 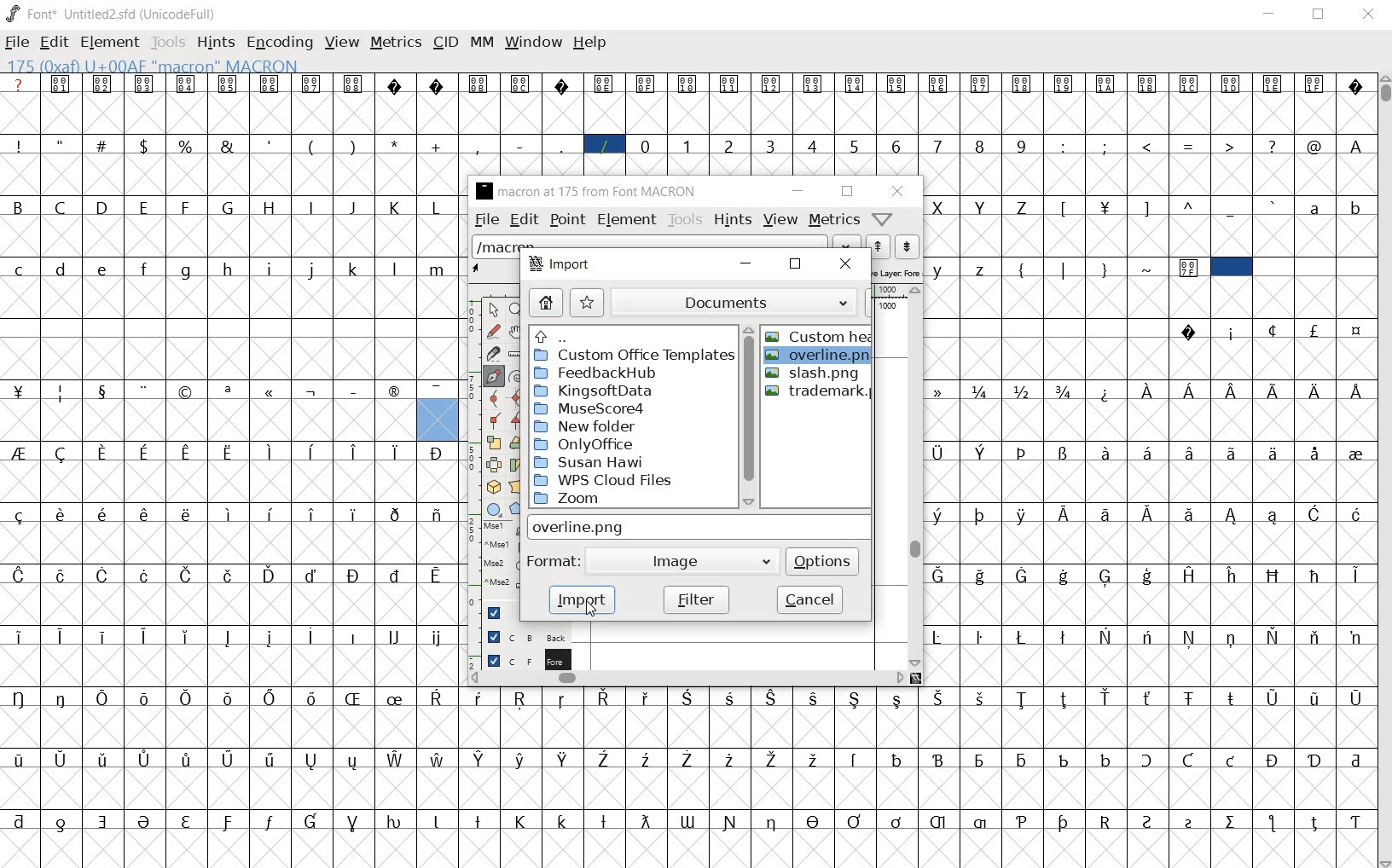 I want to click on Mouse left button, so click(x=501, y=529).